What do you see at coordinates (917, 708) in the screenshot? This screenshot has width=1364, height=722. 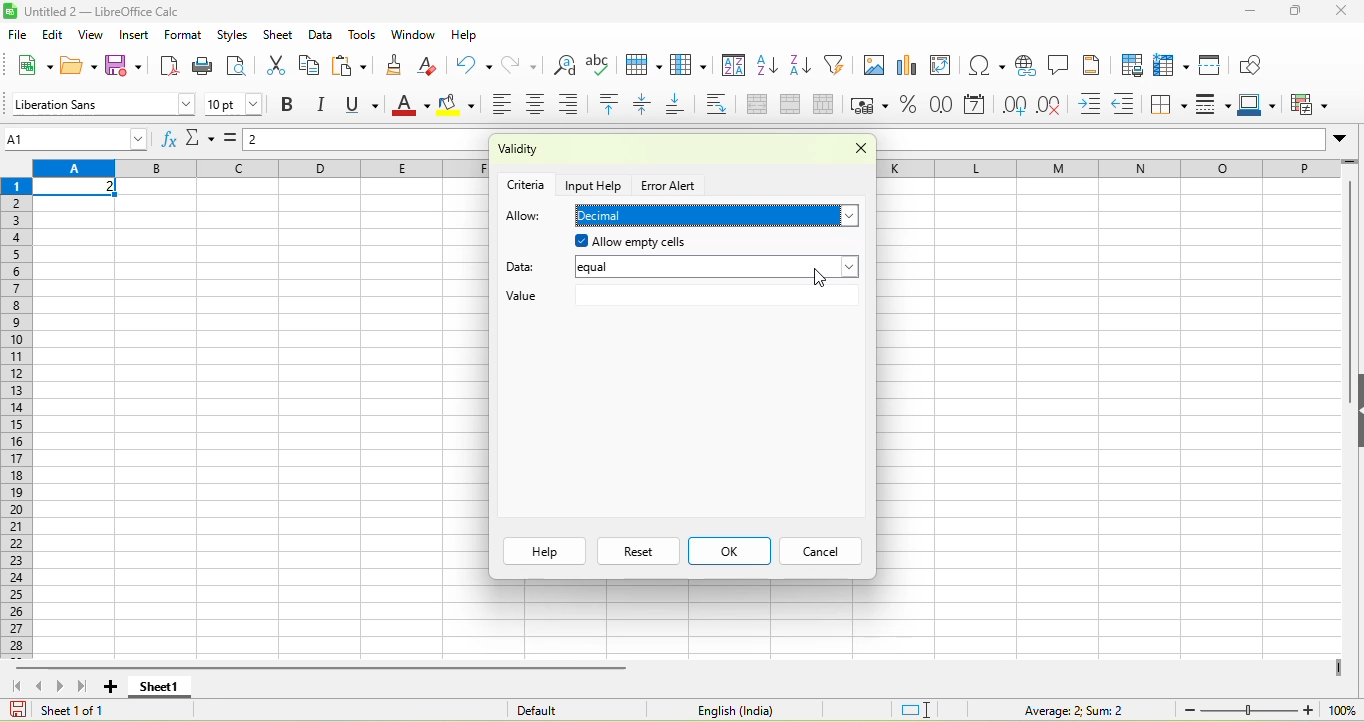 I see `standard selection` at bounding box center [917, 708].